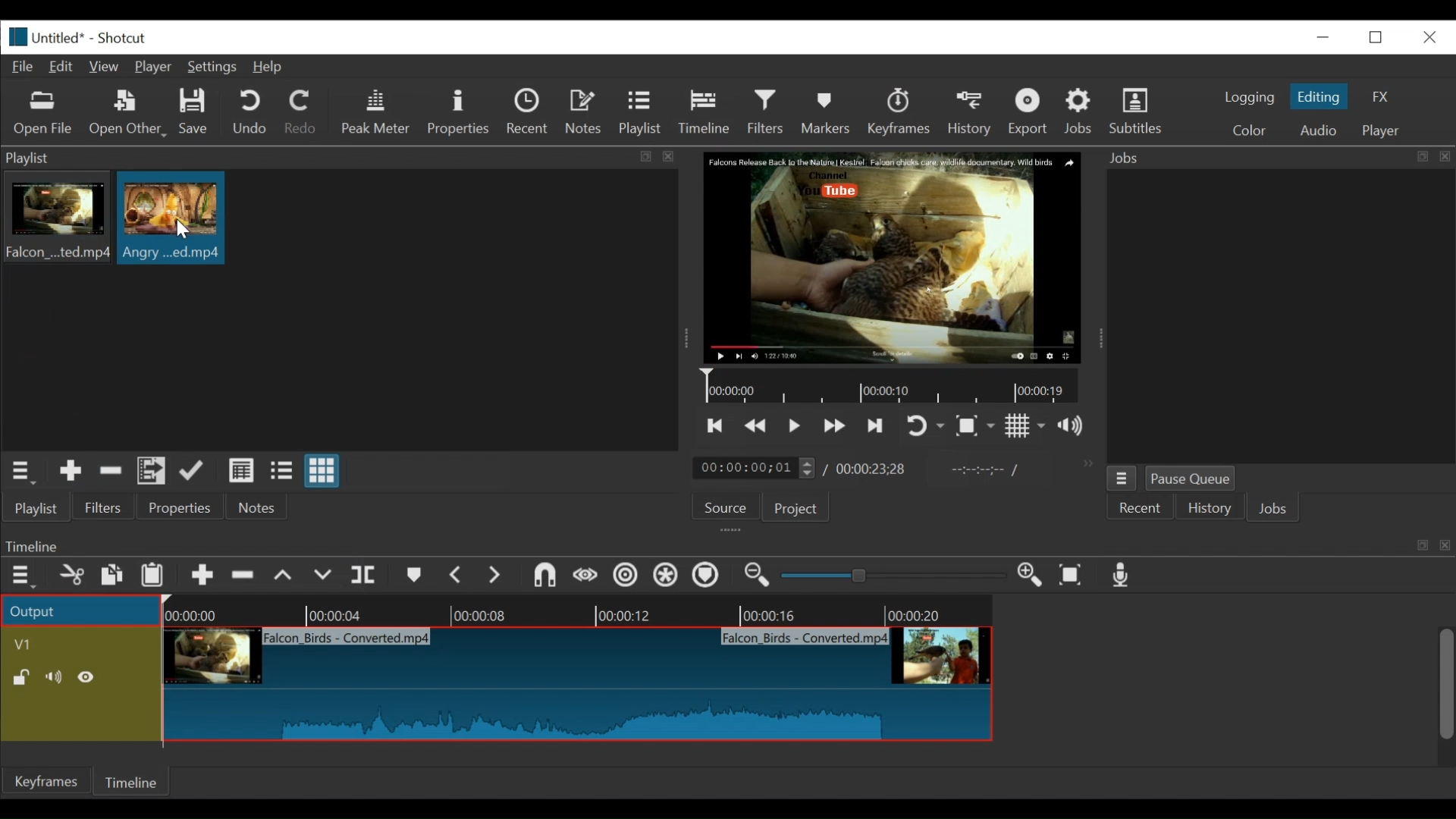 The width and height of the screenshot is (1456, 819). I want to click on Previous marker, so click(457, 578).